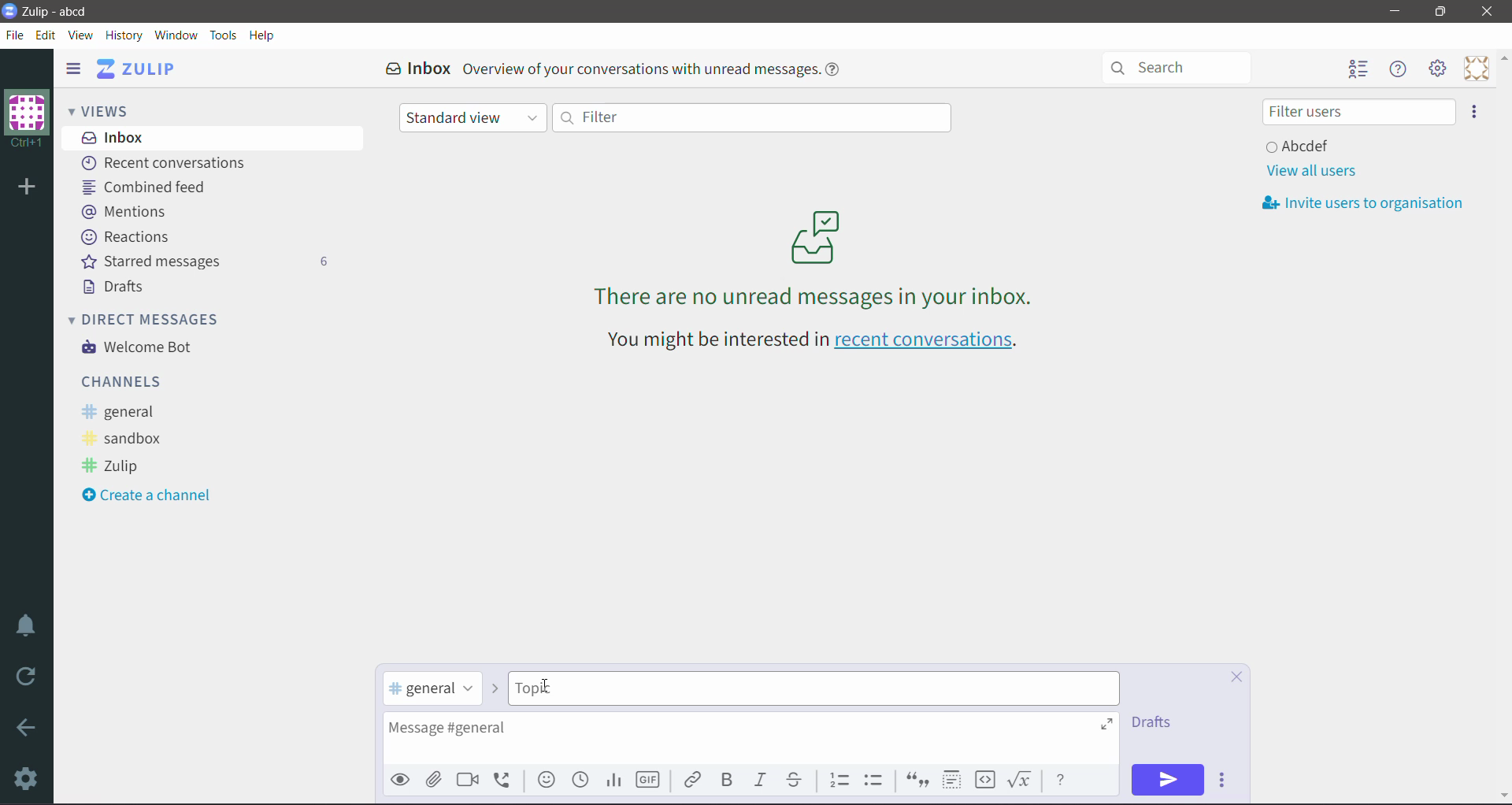 The width and height of the screenshot is (1512, 805). Describe the element at coordinates (1477, 69) in the screenshot. I see `Personal Menu` at that location.